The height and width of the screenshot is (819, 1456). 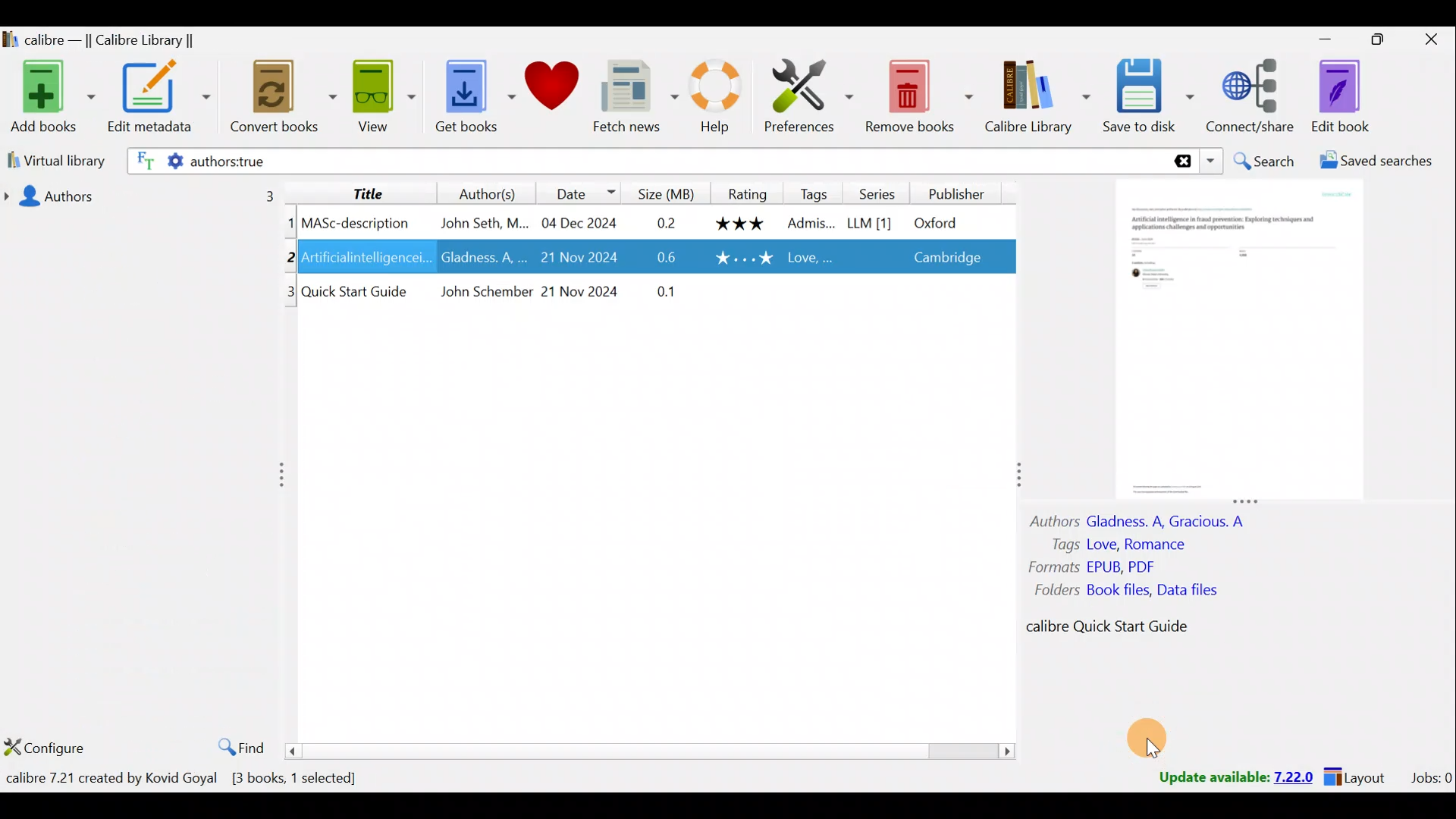 I want to click on Convert books, so click(x=271, y=99).